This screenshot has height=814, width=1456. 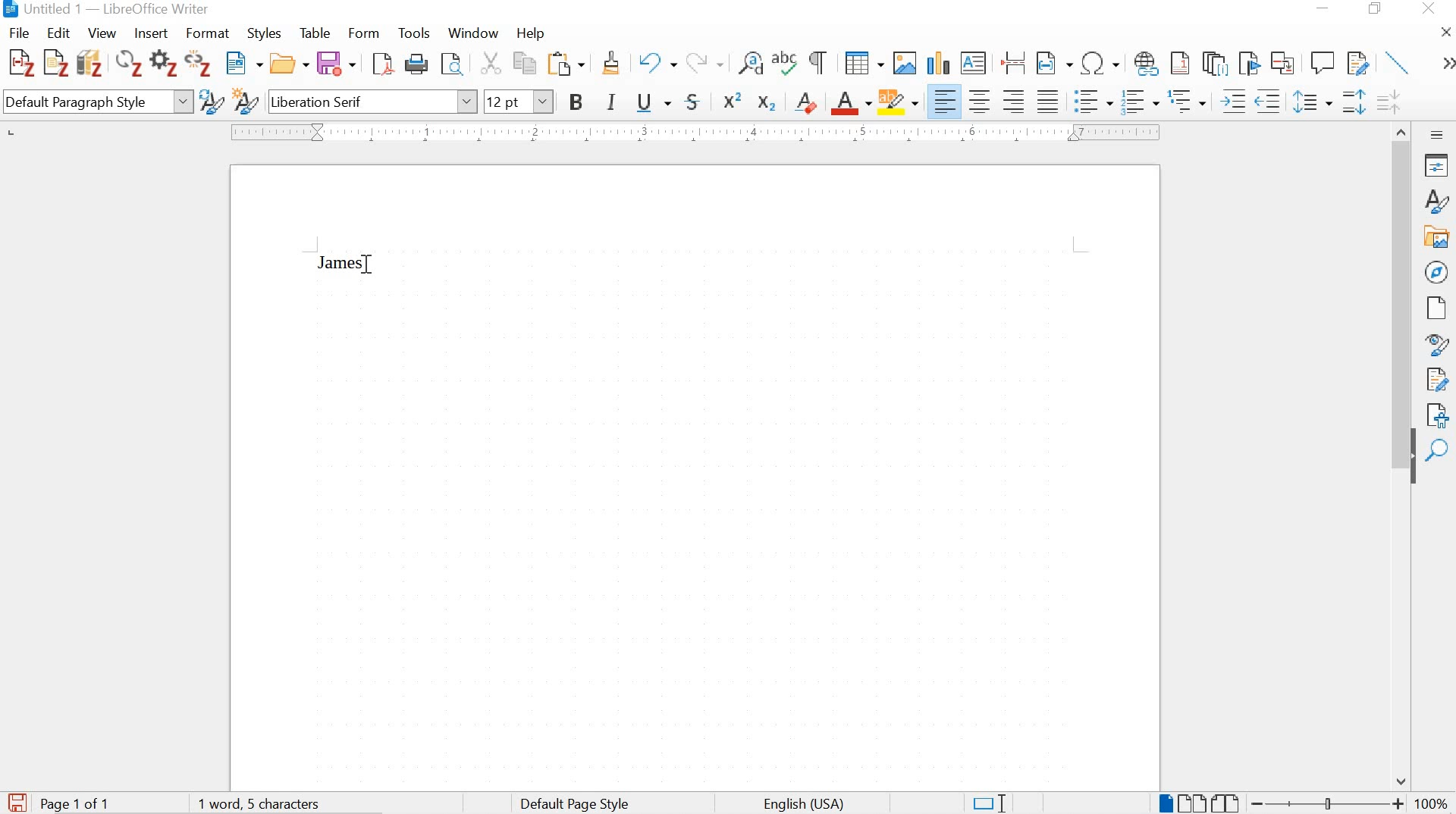 What do you see at coordinates (163, 65) in the screenshot?
I see `set document preferences` at bounding box center [163, 65].